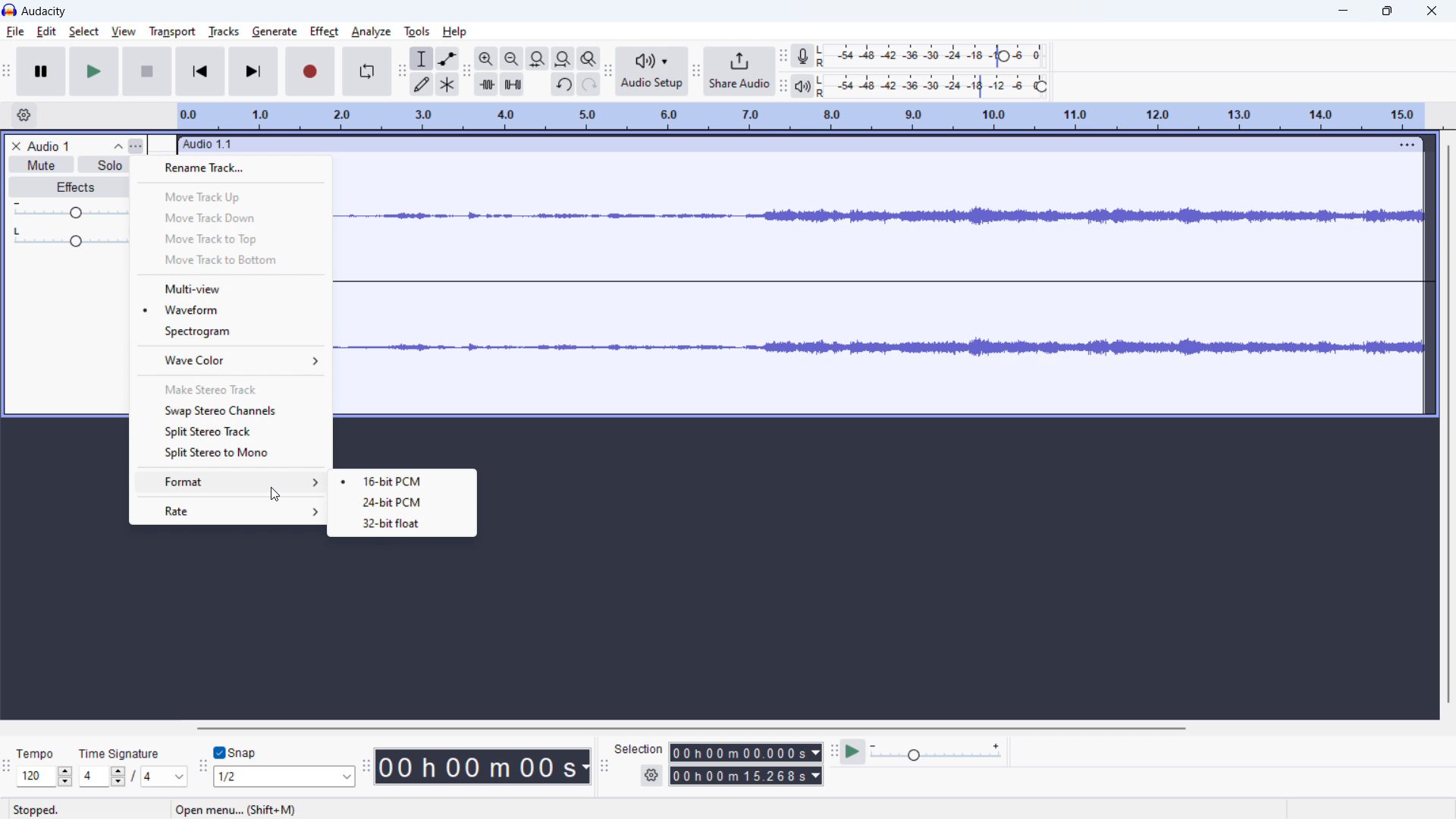  Describe the element at coordinates (254, 71) in the screenshot. I see `skip to last` at that location.